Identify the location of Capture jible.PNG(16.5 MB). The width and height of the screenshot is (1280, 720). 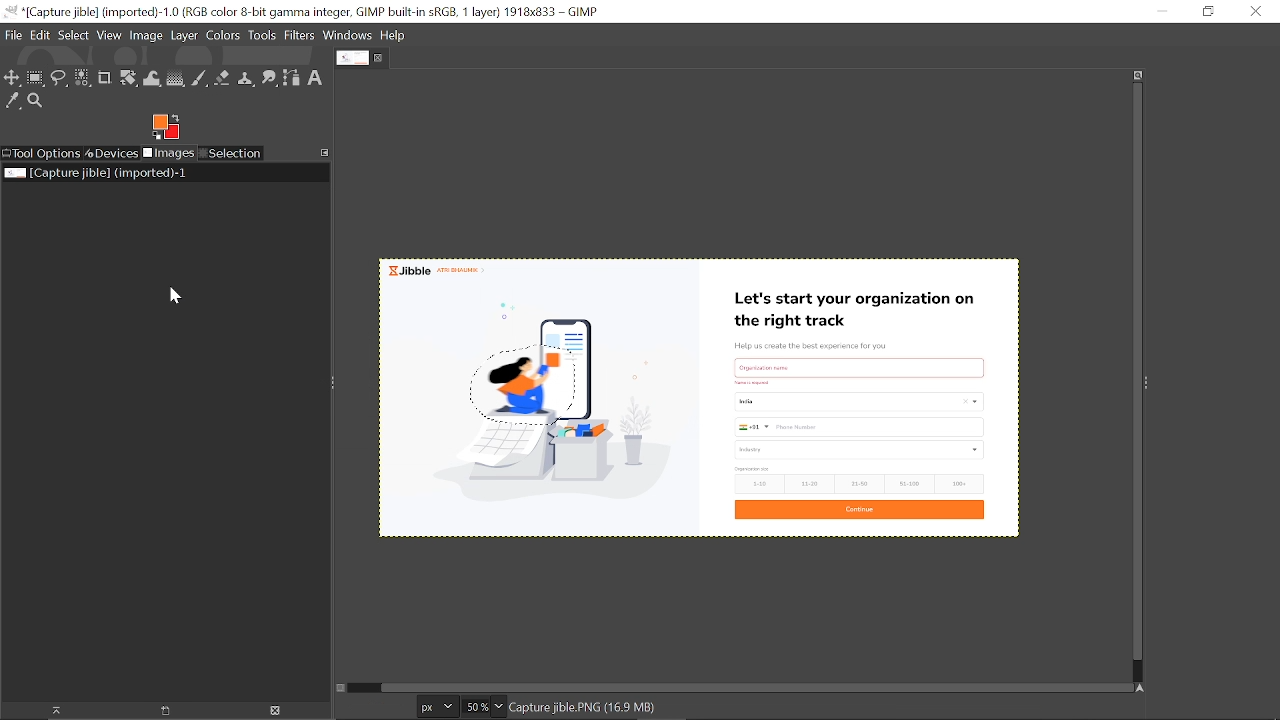
(583, 709).